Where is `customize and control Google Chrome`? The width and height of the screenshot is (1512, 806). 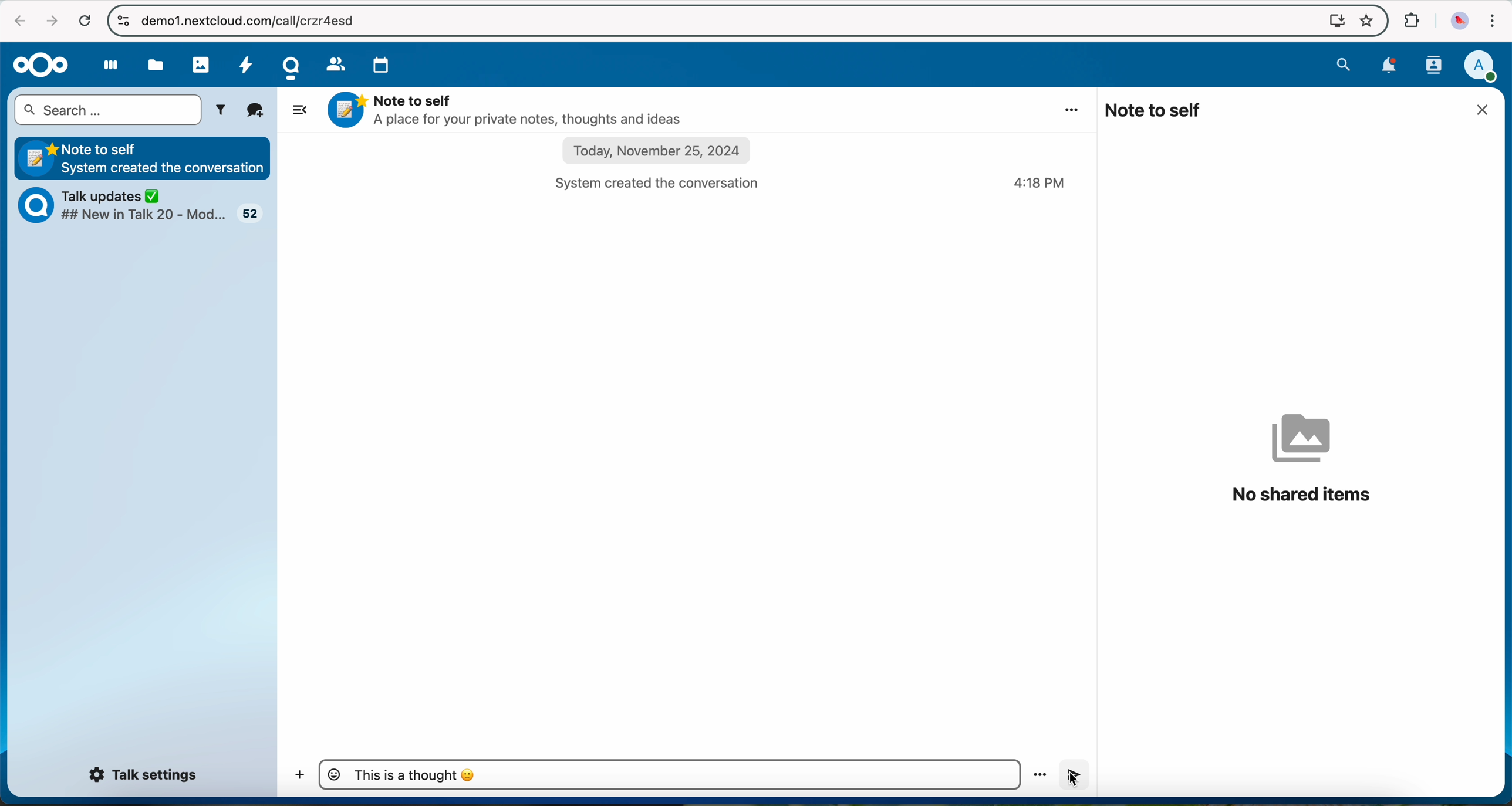
customize and control Google Chrome is located at coordinates (1493, 21).